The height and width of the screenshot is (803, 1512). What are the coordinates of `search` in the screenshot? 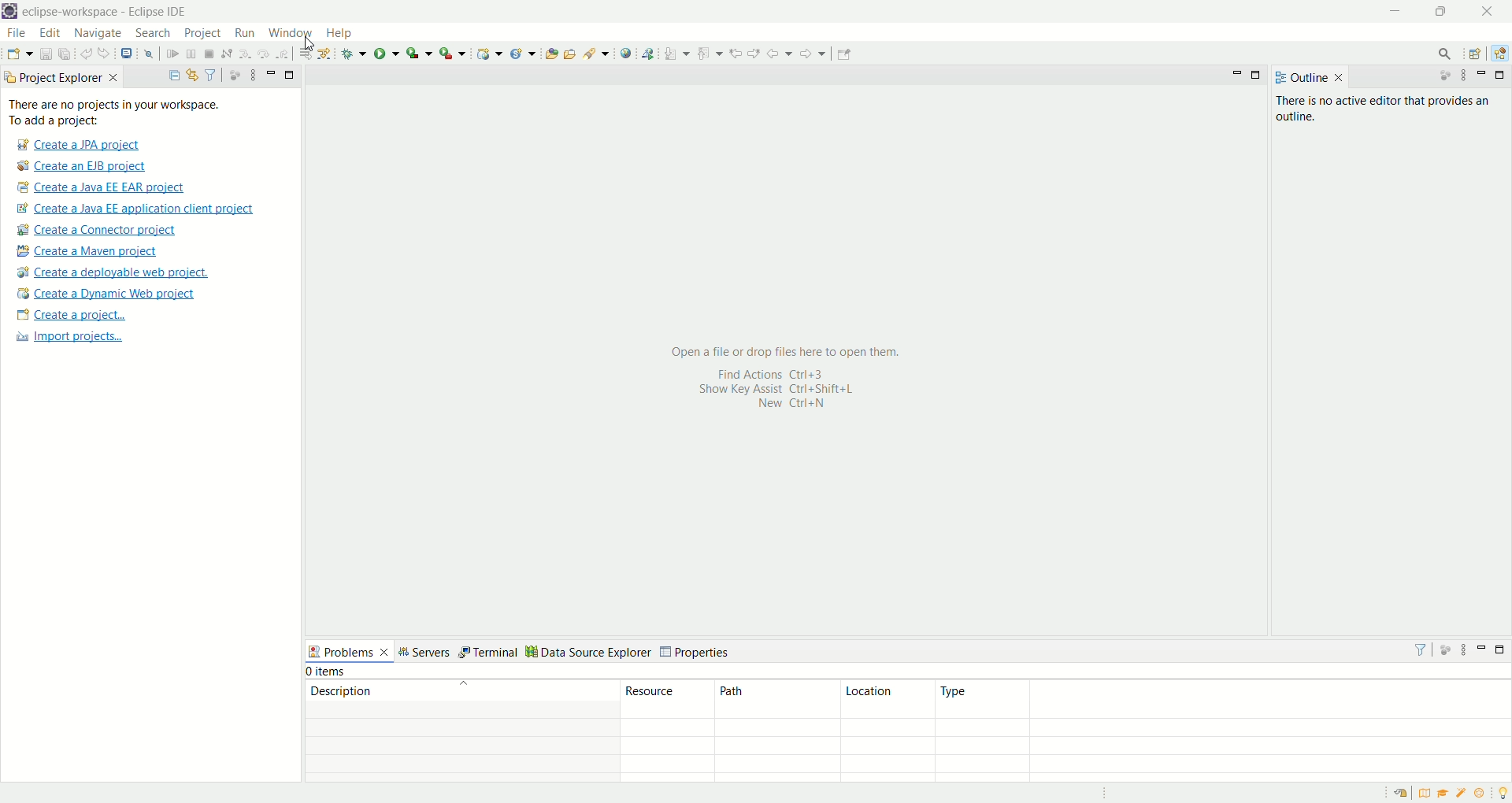 It's located at (1447, 52).